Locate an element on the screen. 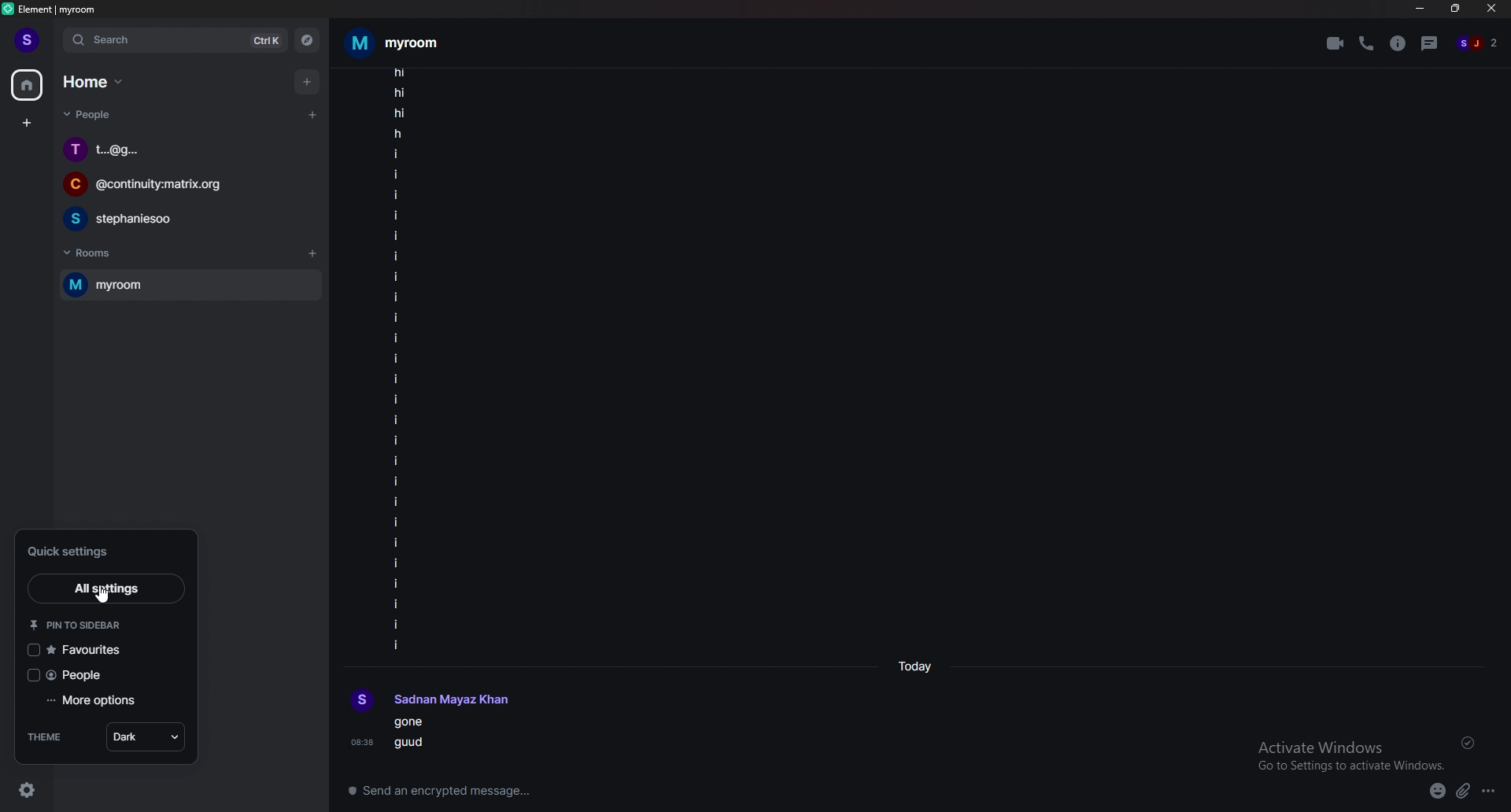  text is located at coordinates (438, 736).